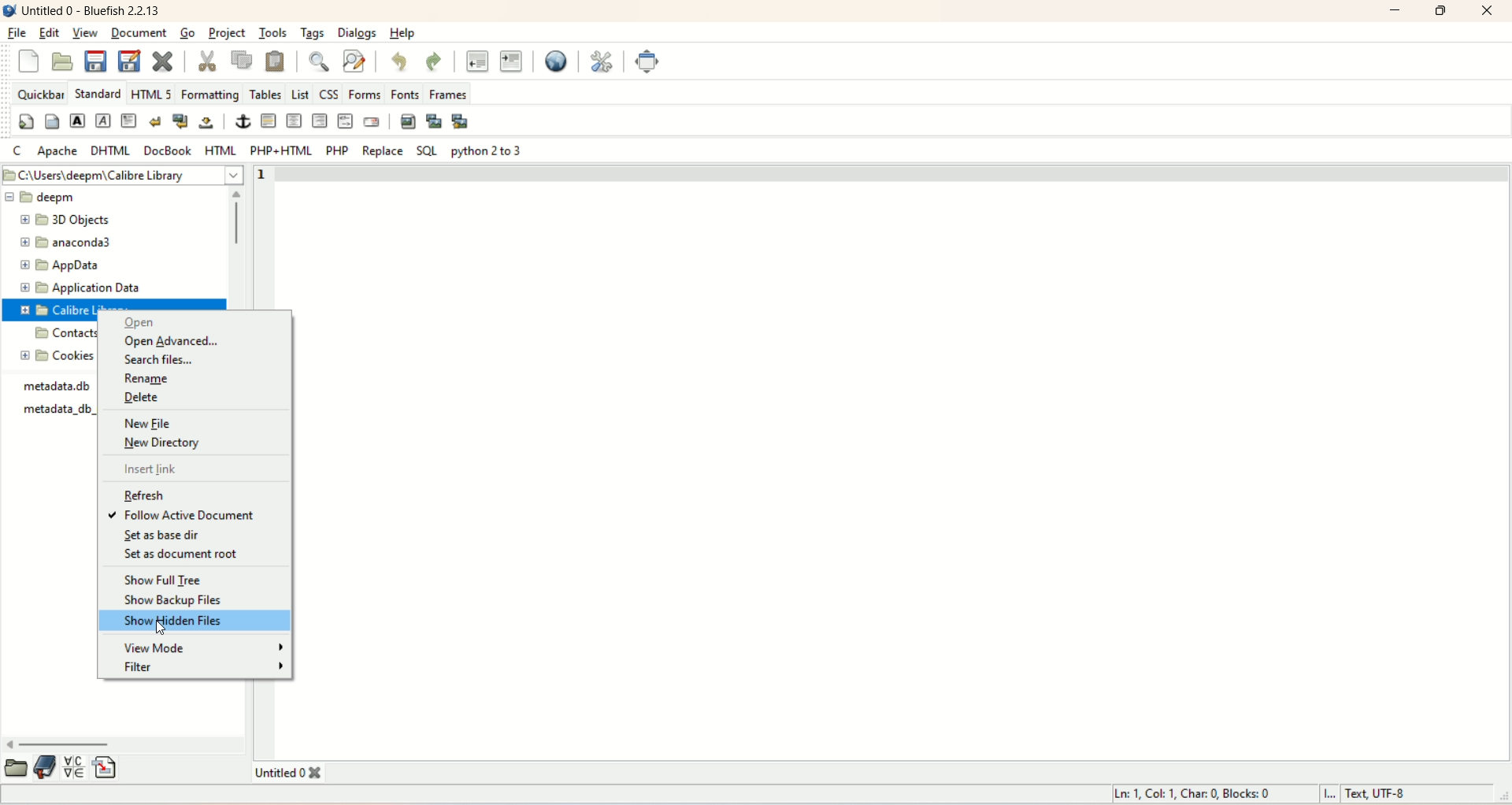  Describe the element at coordinates (198, 513) in the screenshot. I see `follow active document` at that location.